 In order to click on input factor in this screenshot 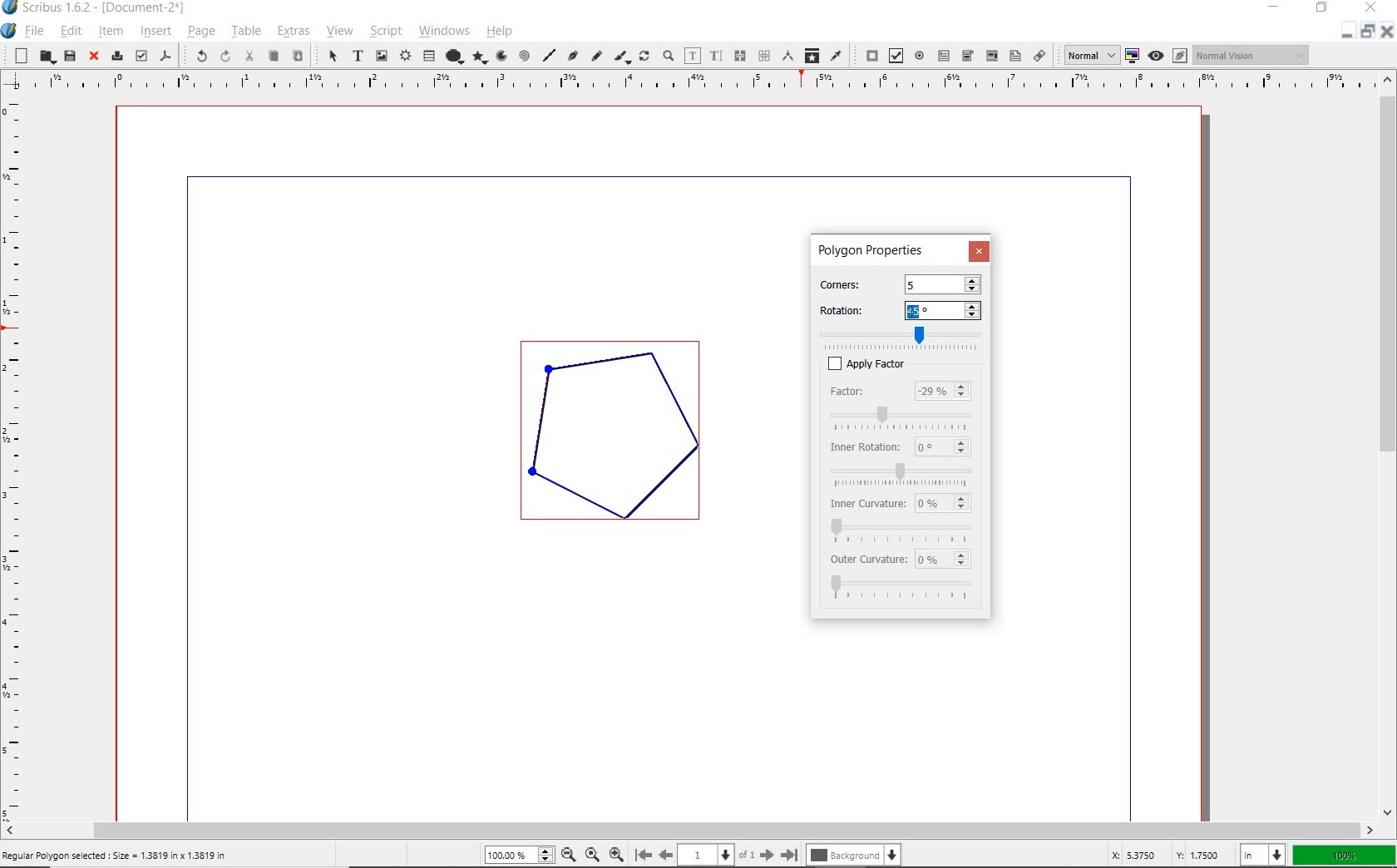, I will do `click(944, 392)`.